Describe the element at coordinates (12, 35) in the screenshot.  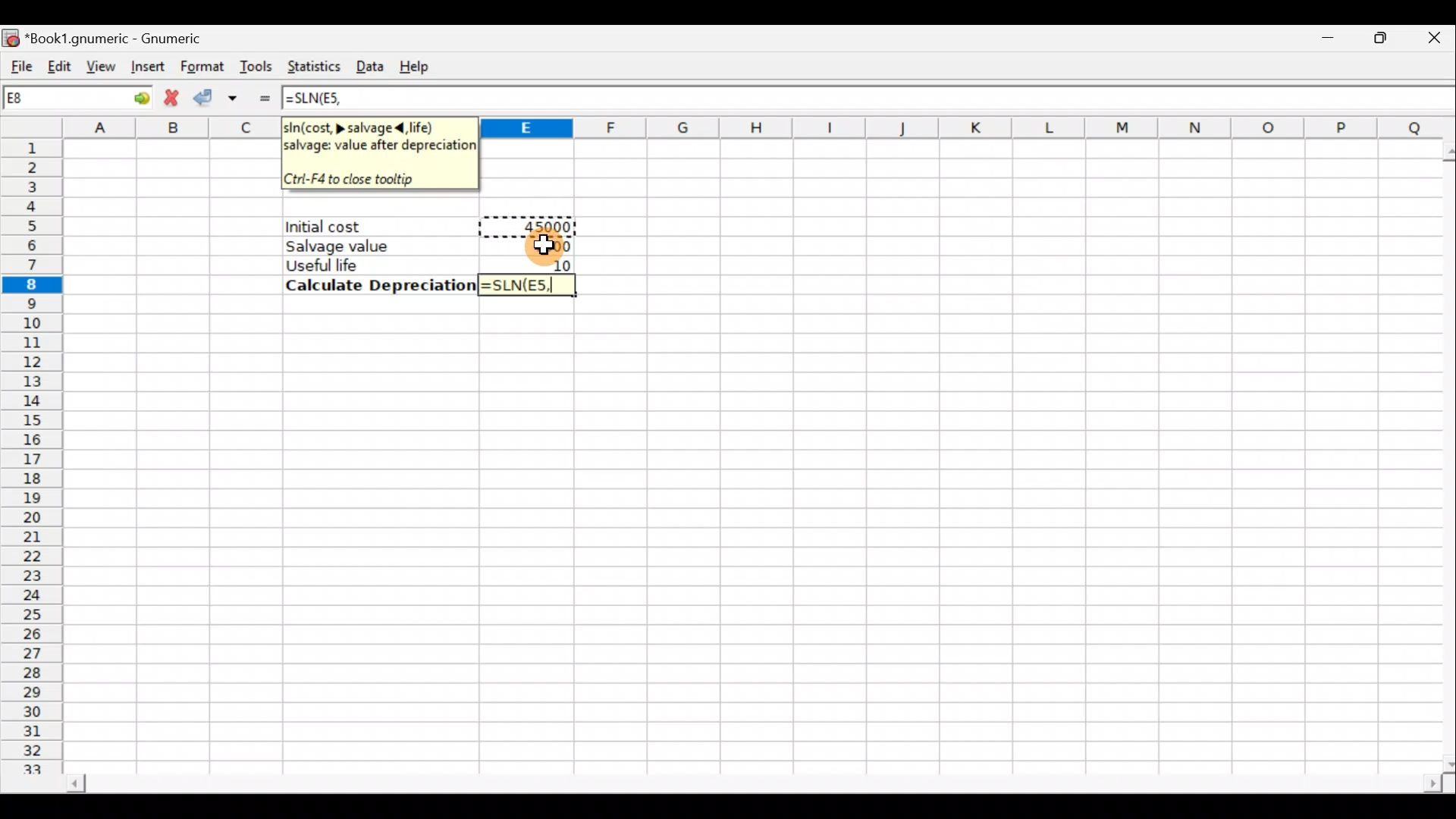
I see `Gnumeric logo` at that location.